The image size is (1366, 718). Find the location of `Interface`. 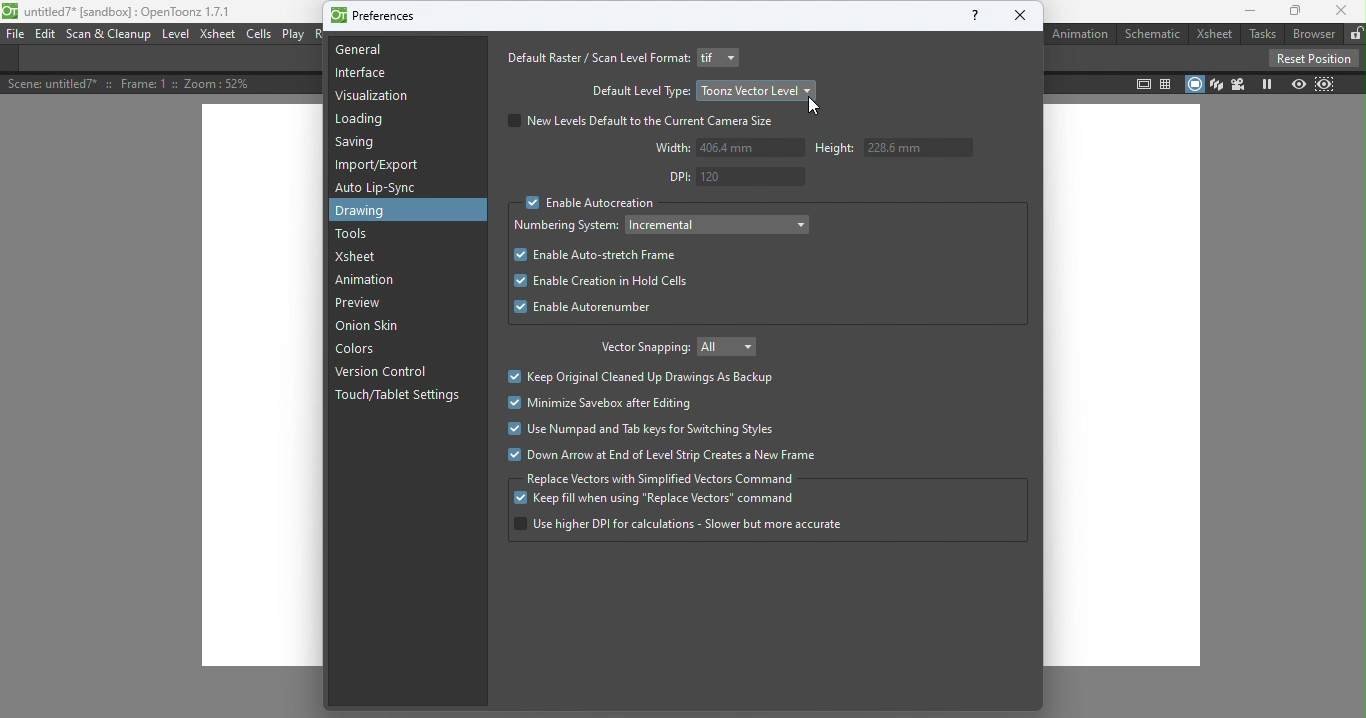

Interface is located at coordinates (360, 75).